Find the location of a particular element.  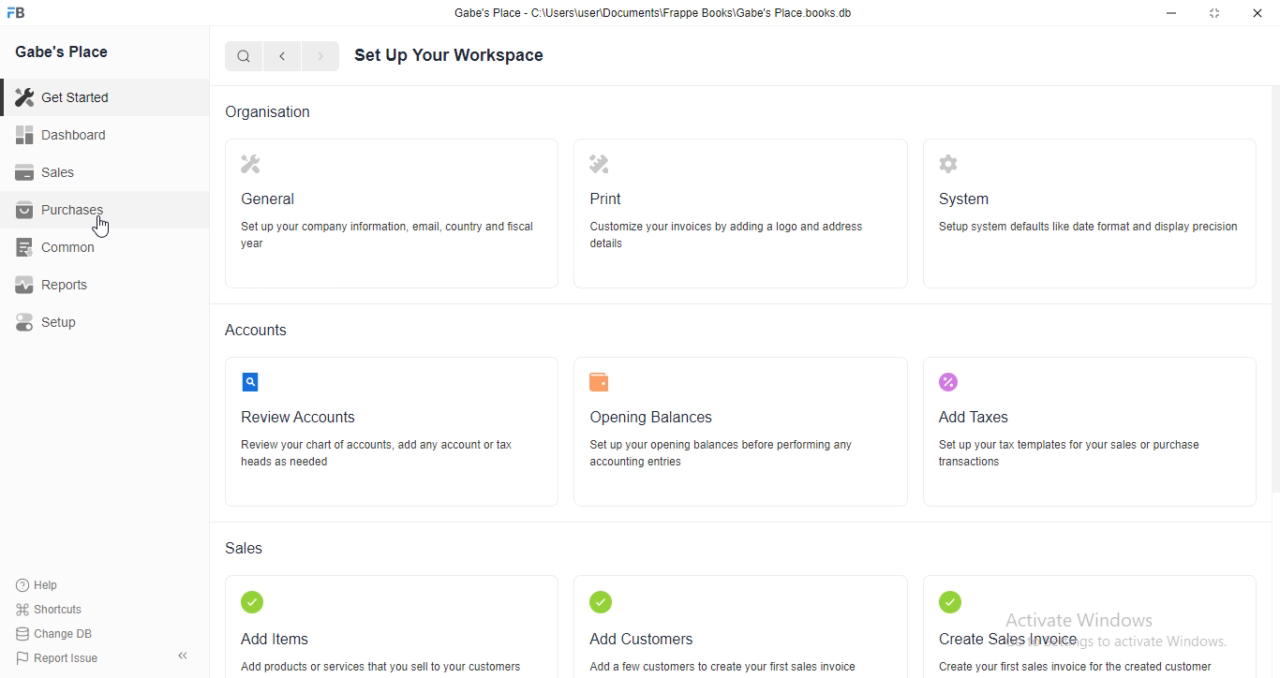

‘Set up your opening balances before performing any
accounting entries is located at coordinates (725, 456).